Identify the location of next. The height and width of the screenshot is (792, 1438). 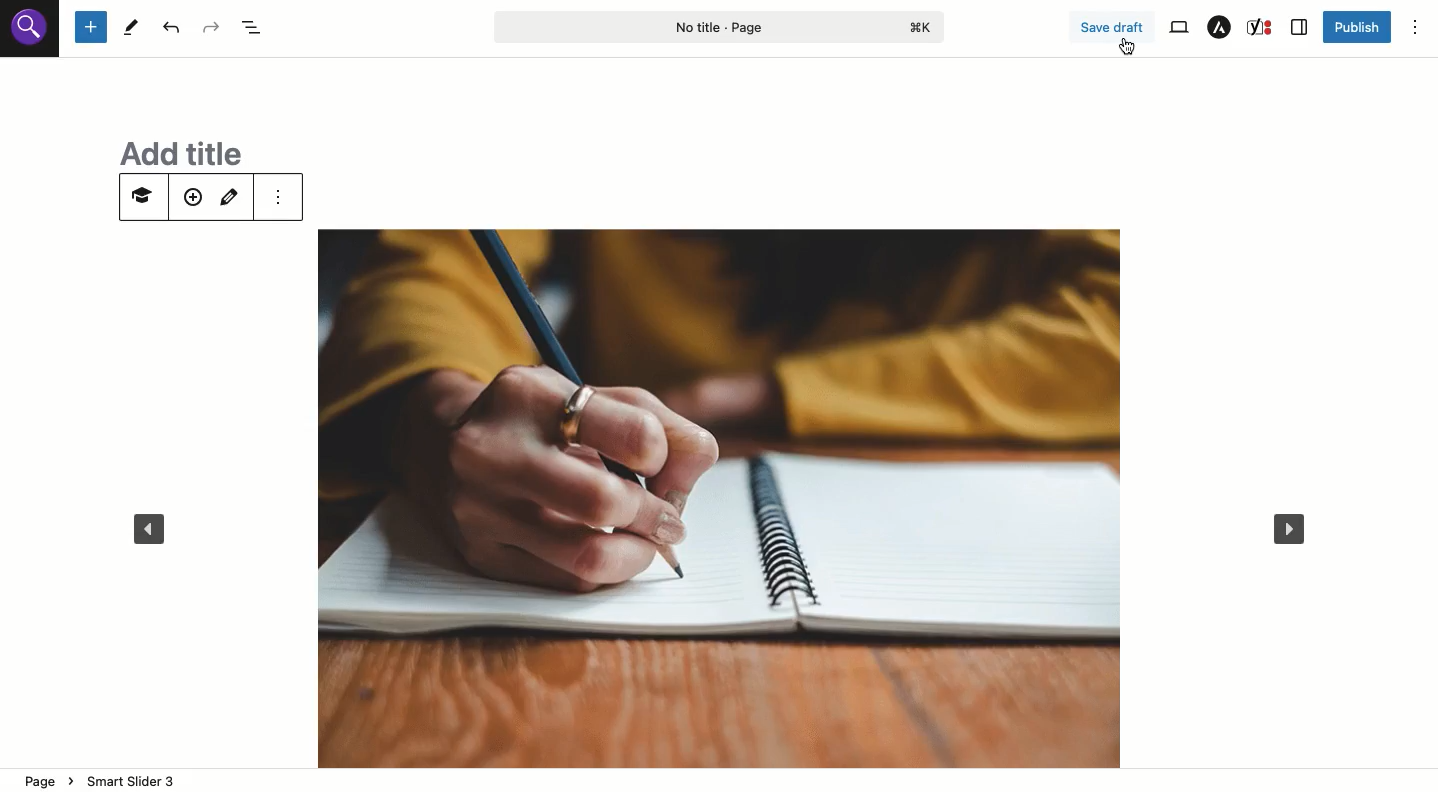
(1296, 525).